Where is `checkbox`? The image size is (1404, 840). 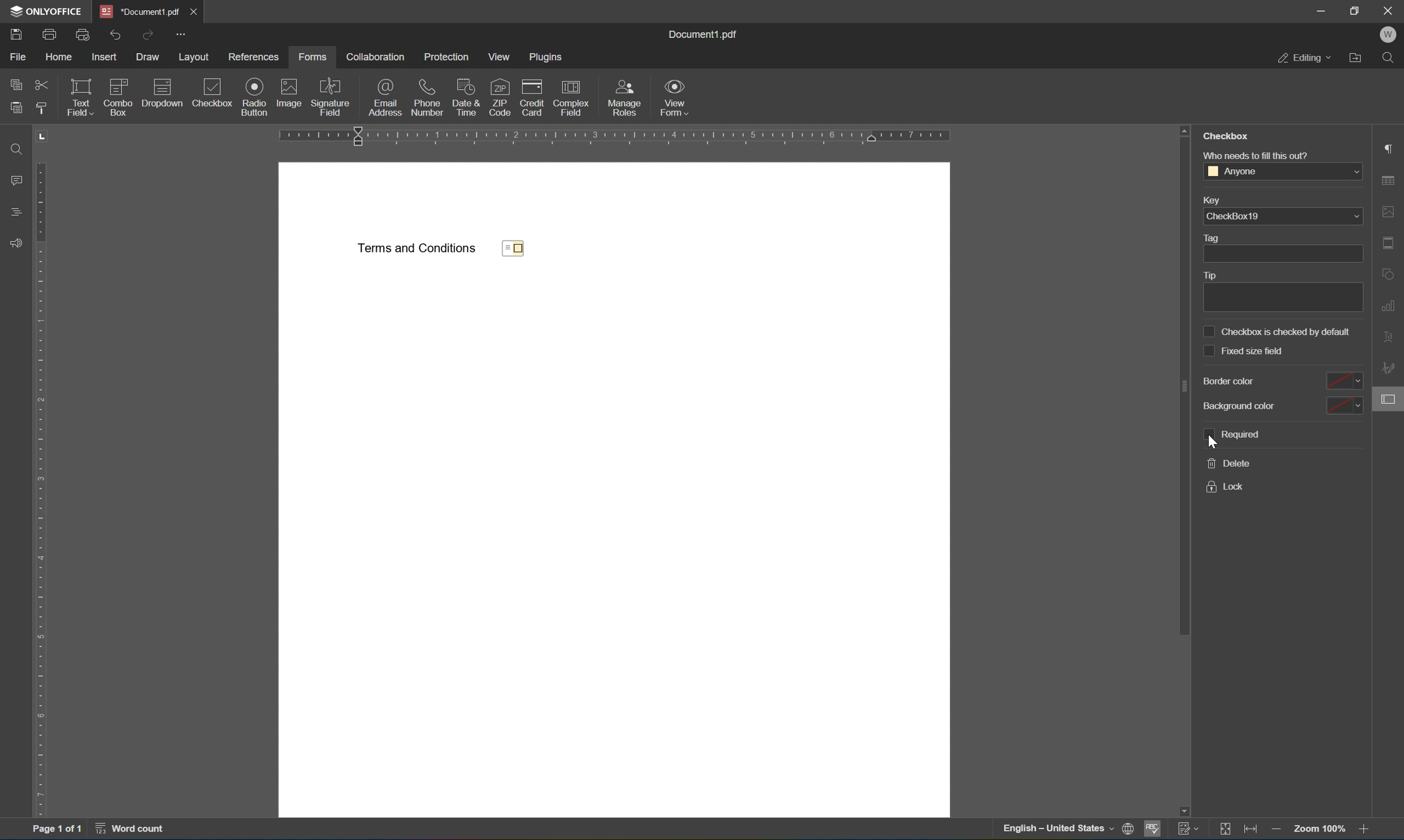 checkbox is located at coordinates (1226, 136).